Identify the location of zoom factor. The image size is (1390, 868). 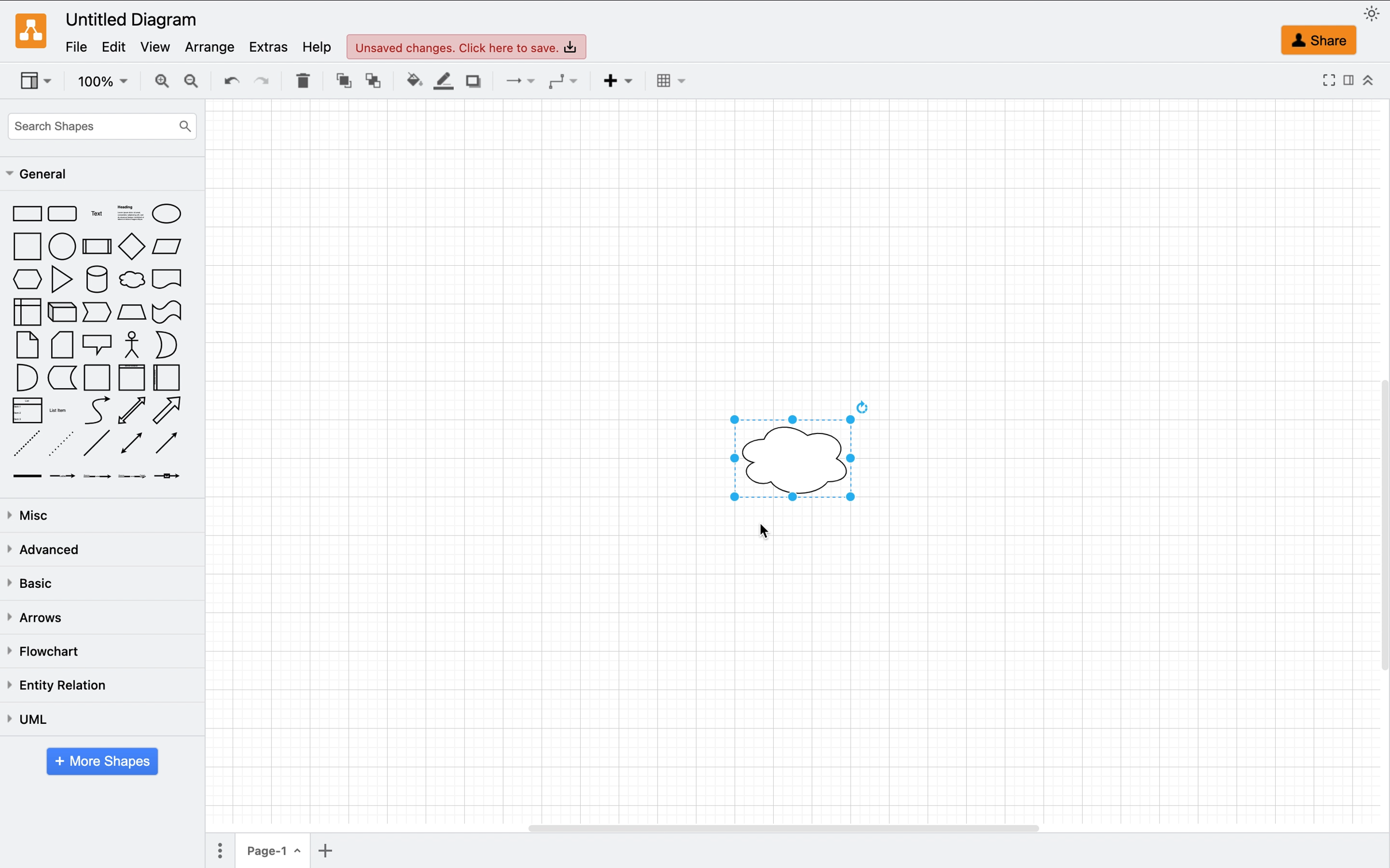
(99, 82).